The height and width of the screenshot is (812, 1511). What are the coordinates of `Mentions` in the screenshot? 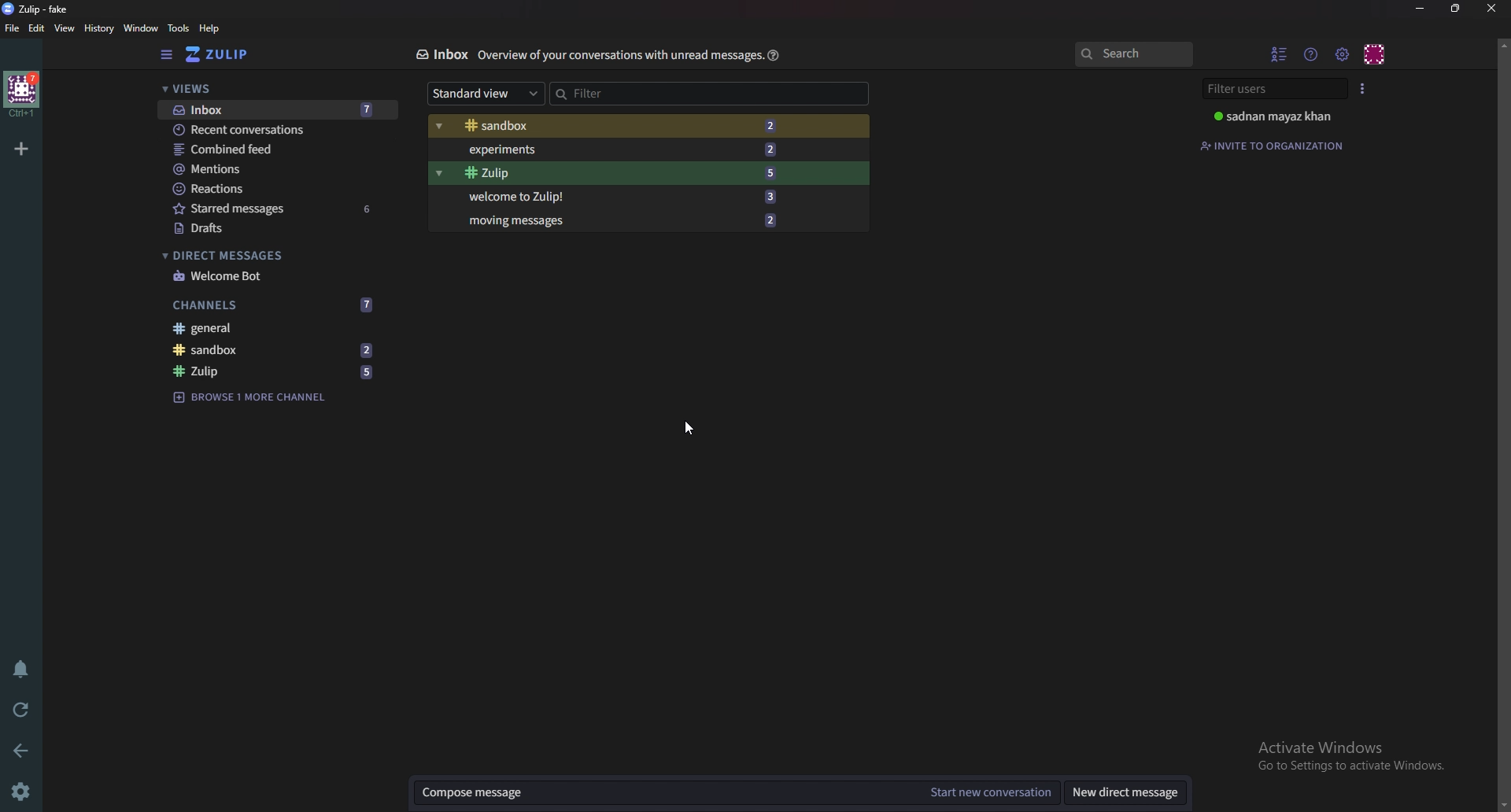 It's located at (276, 169).